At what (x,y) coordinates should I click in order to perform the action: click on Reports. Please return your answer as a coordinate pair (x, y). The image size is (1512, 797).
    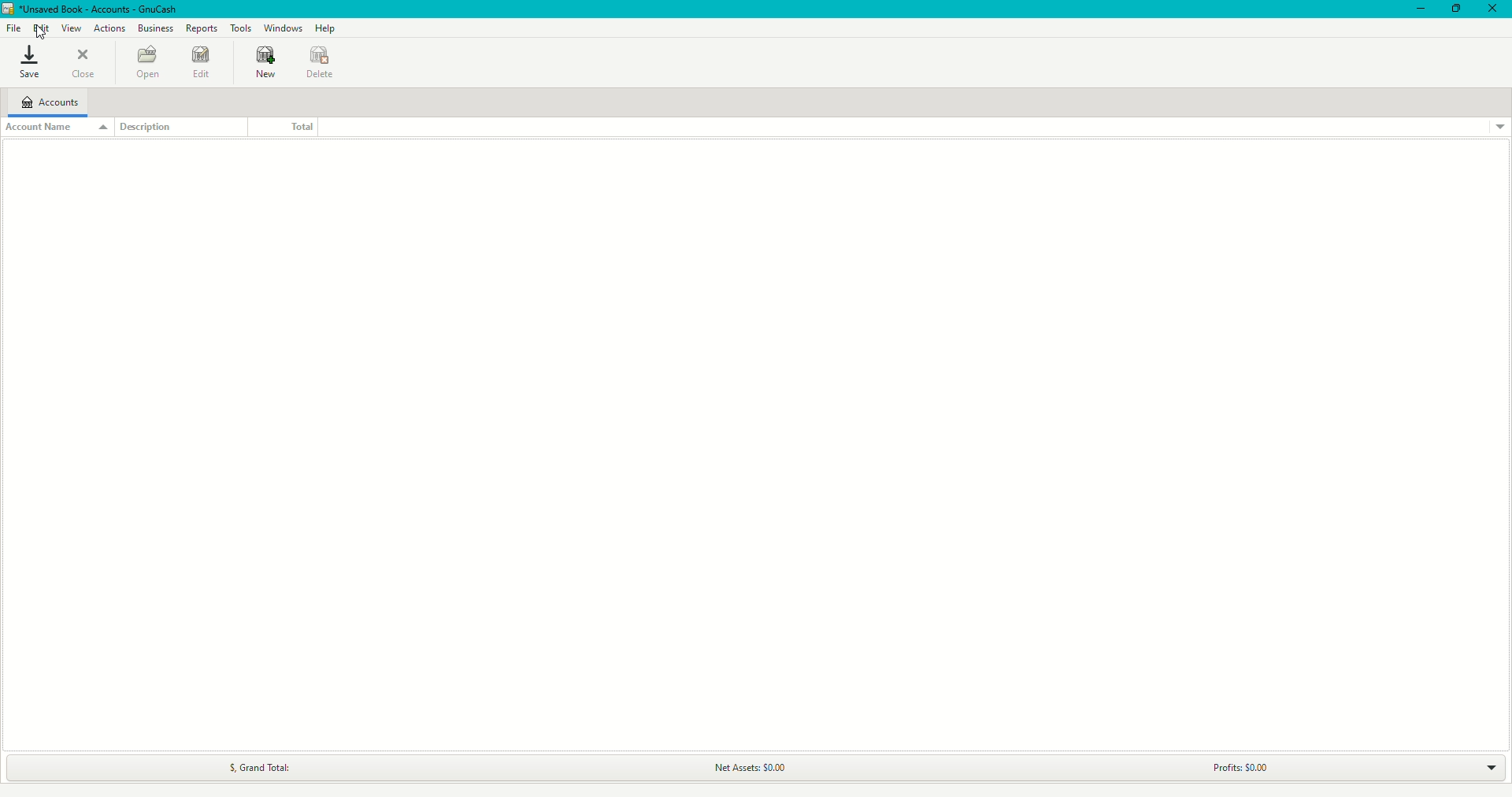
    Looking at the image, I should click on (202, 27).